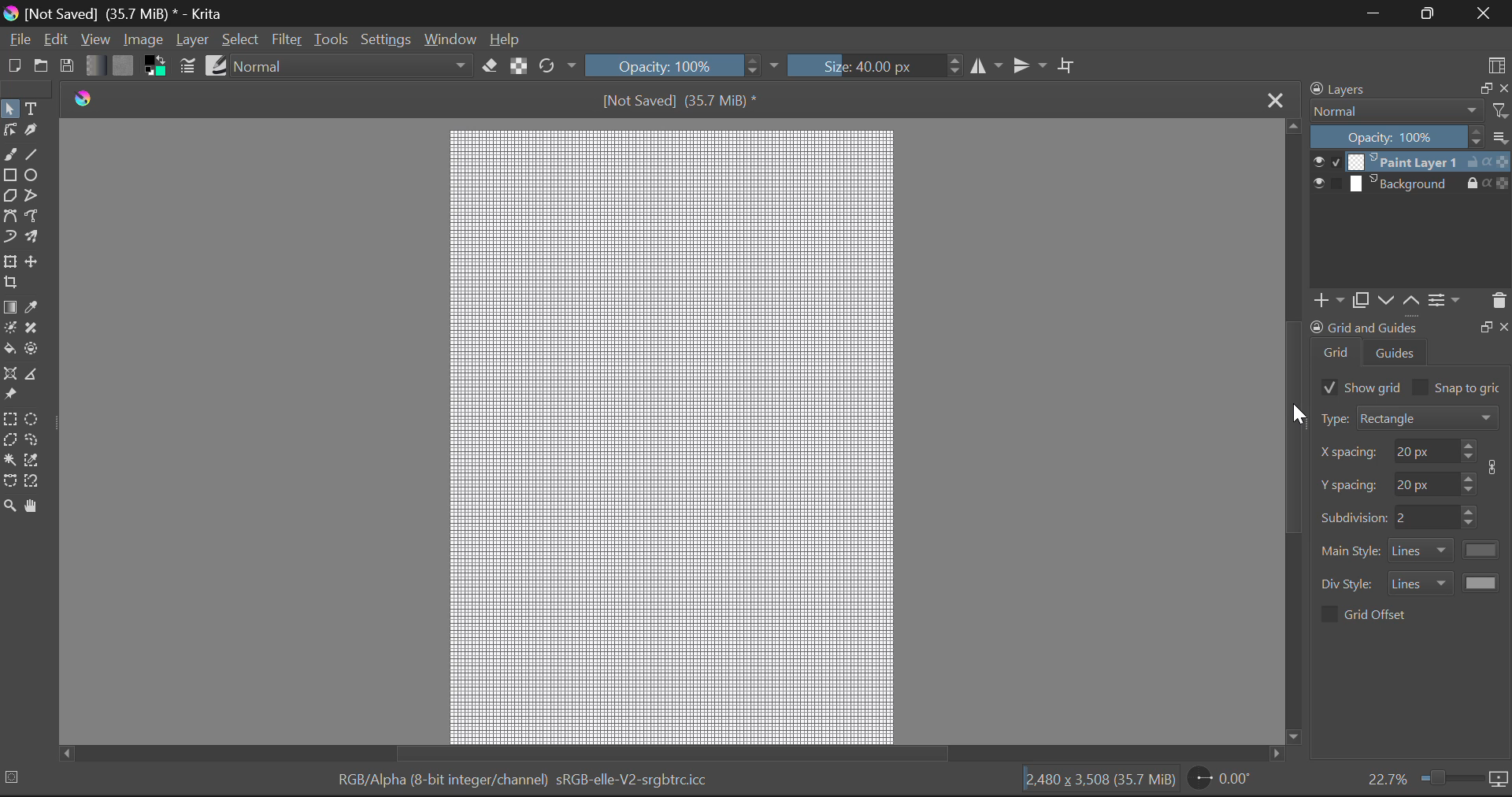 The image size is (1512, 797). I want to click on type, so click(1332, 418).